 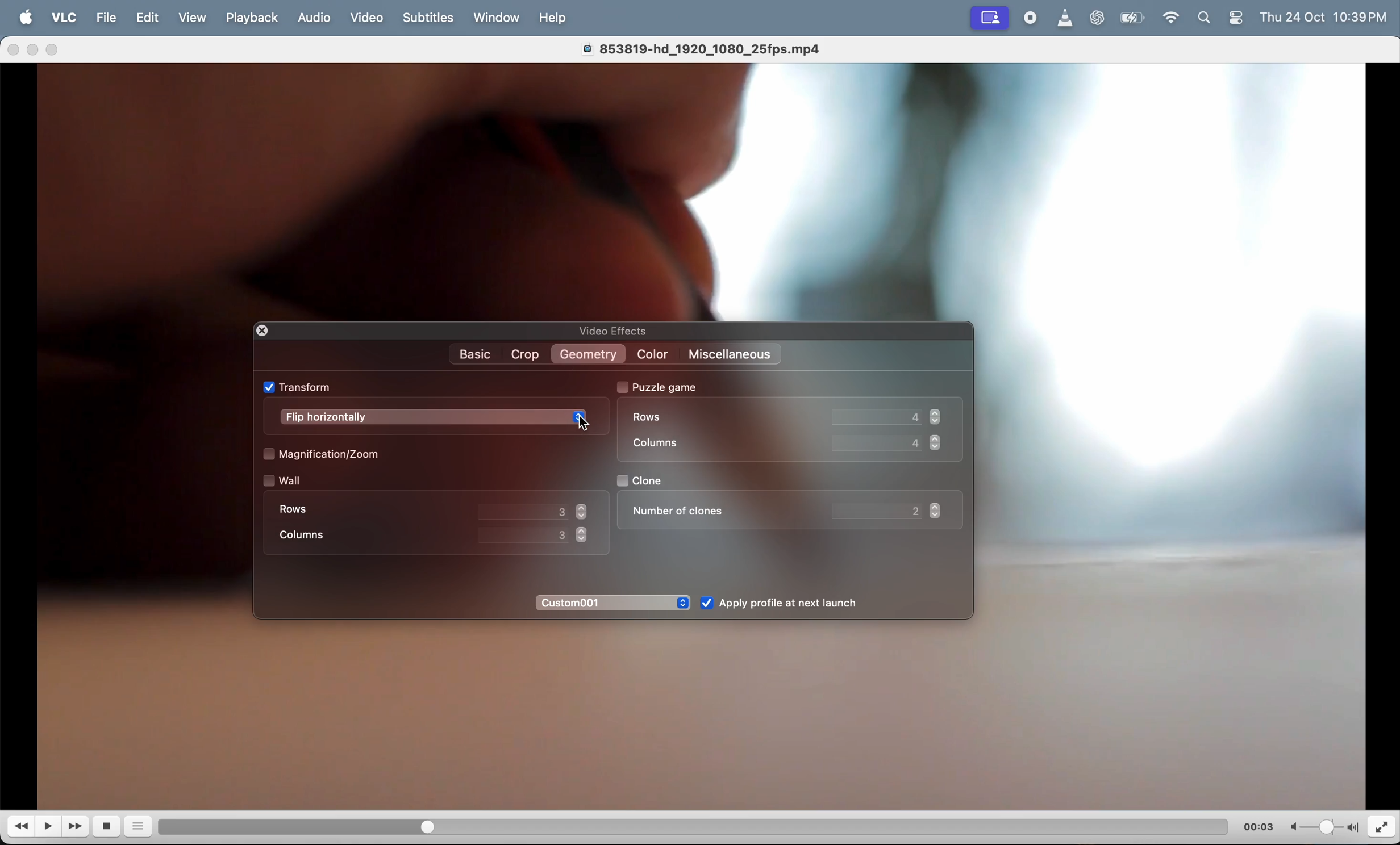 What do you see at coordinates (1328, 16) in the screenshot?
I see `time and date` at bounding box center [1328, 16].